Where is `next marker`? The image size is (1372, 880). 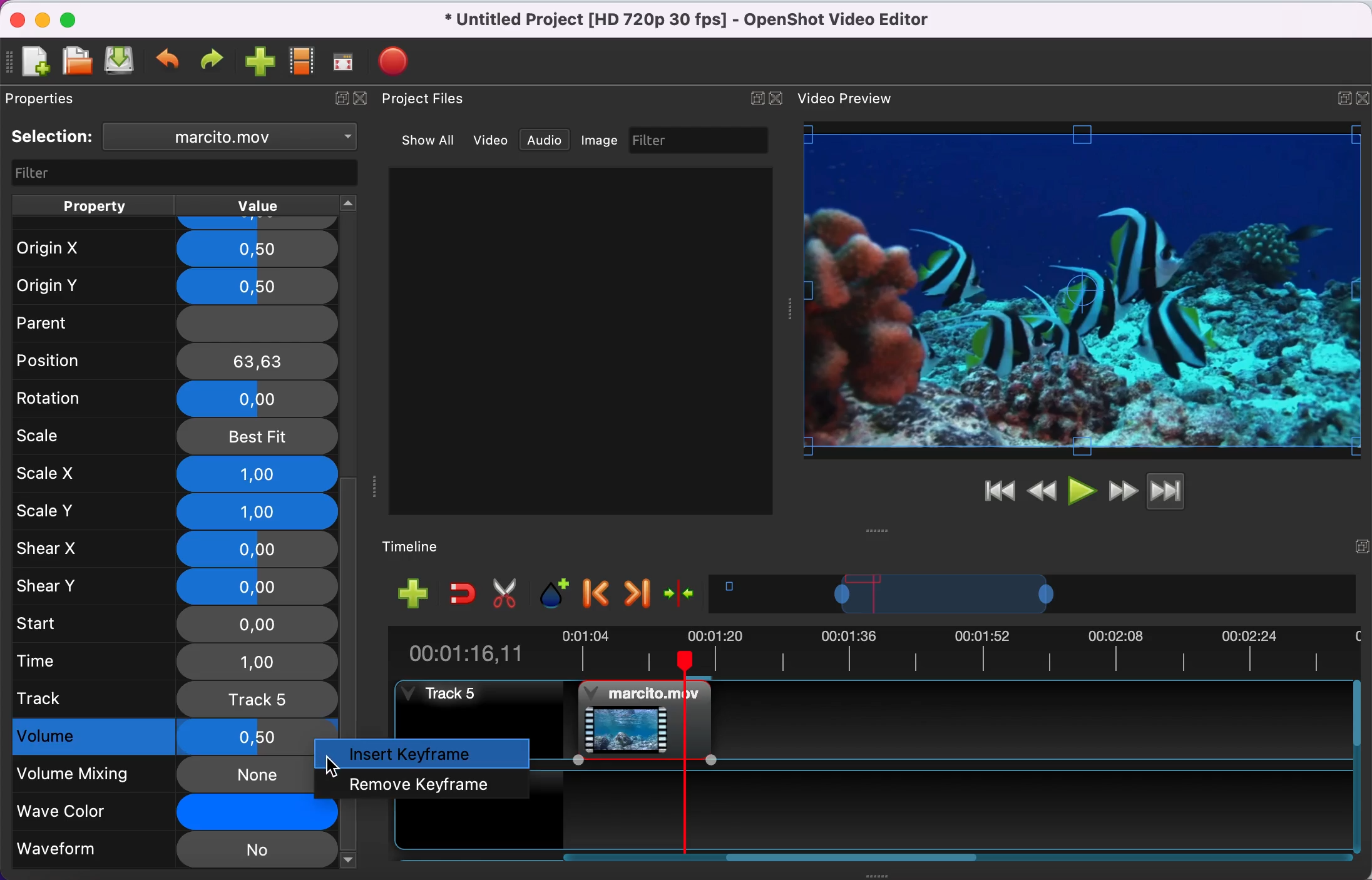 next marker is located at coordinates (637, 594).